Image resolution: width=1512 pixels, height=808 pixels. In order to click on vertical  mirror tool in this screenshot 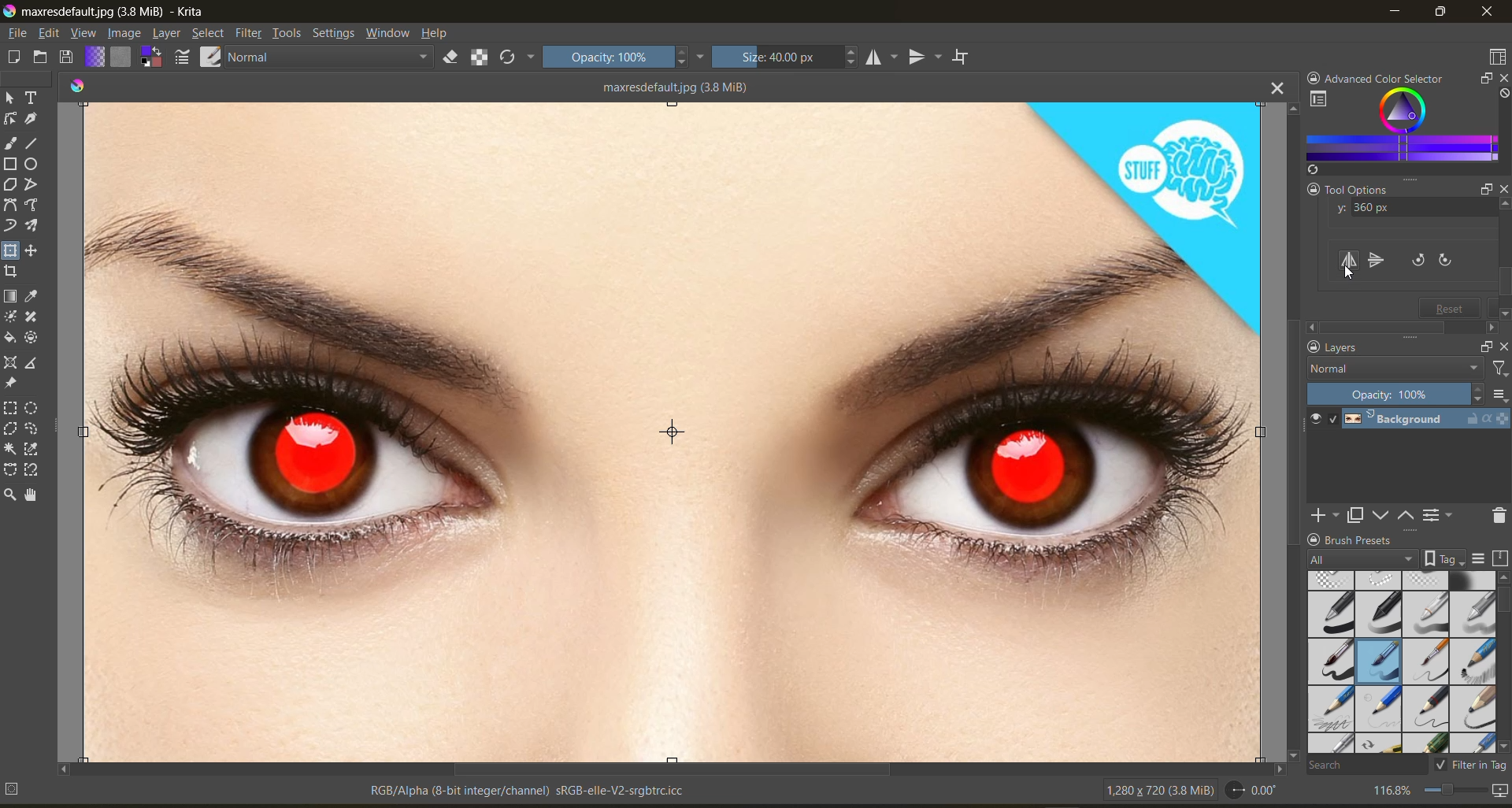, I will do `click(927, 55)`.